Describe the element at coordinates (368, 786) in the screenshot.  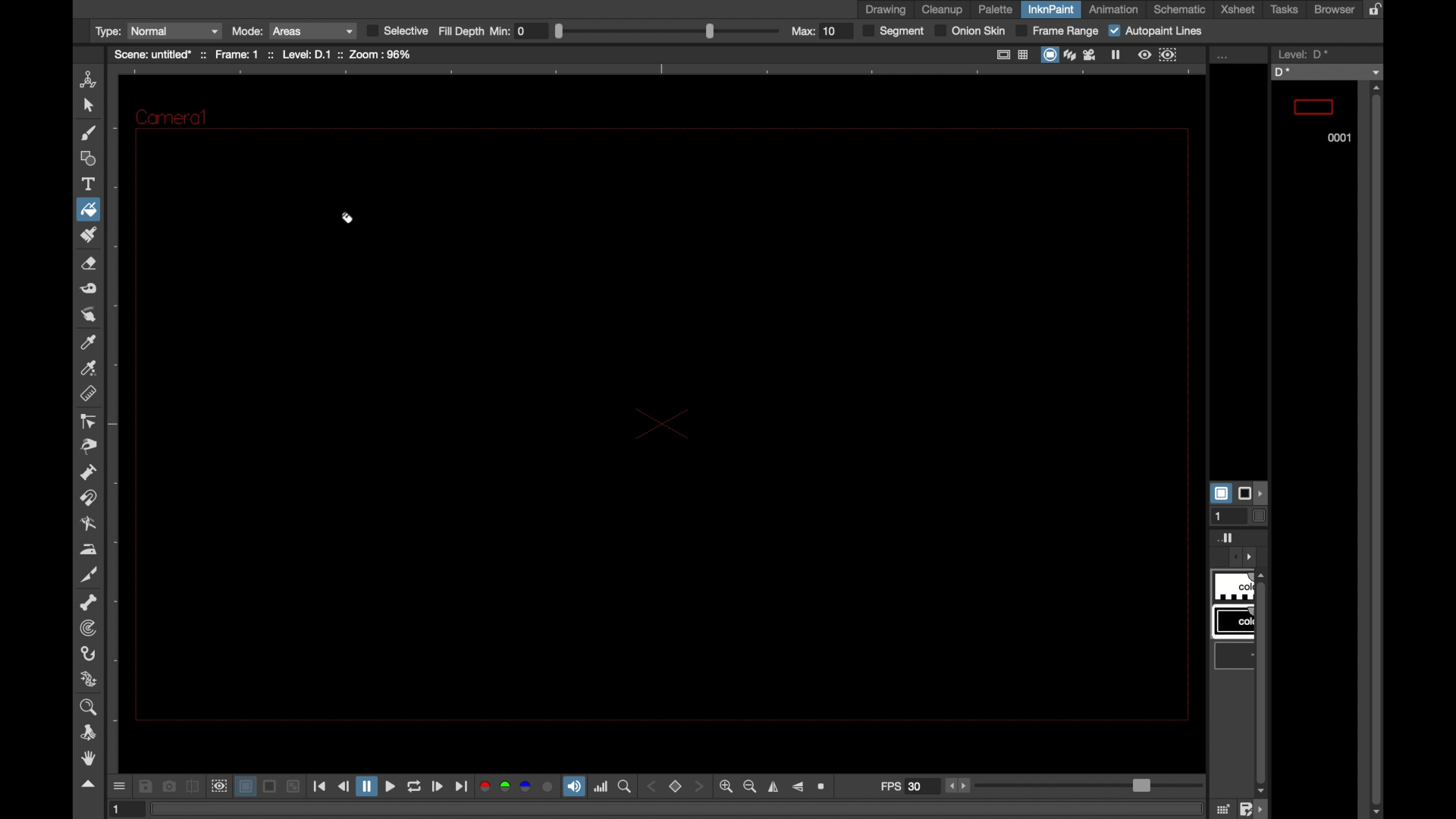
I see `pause` at that location.